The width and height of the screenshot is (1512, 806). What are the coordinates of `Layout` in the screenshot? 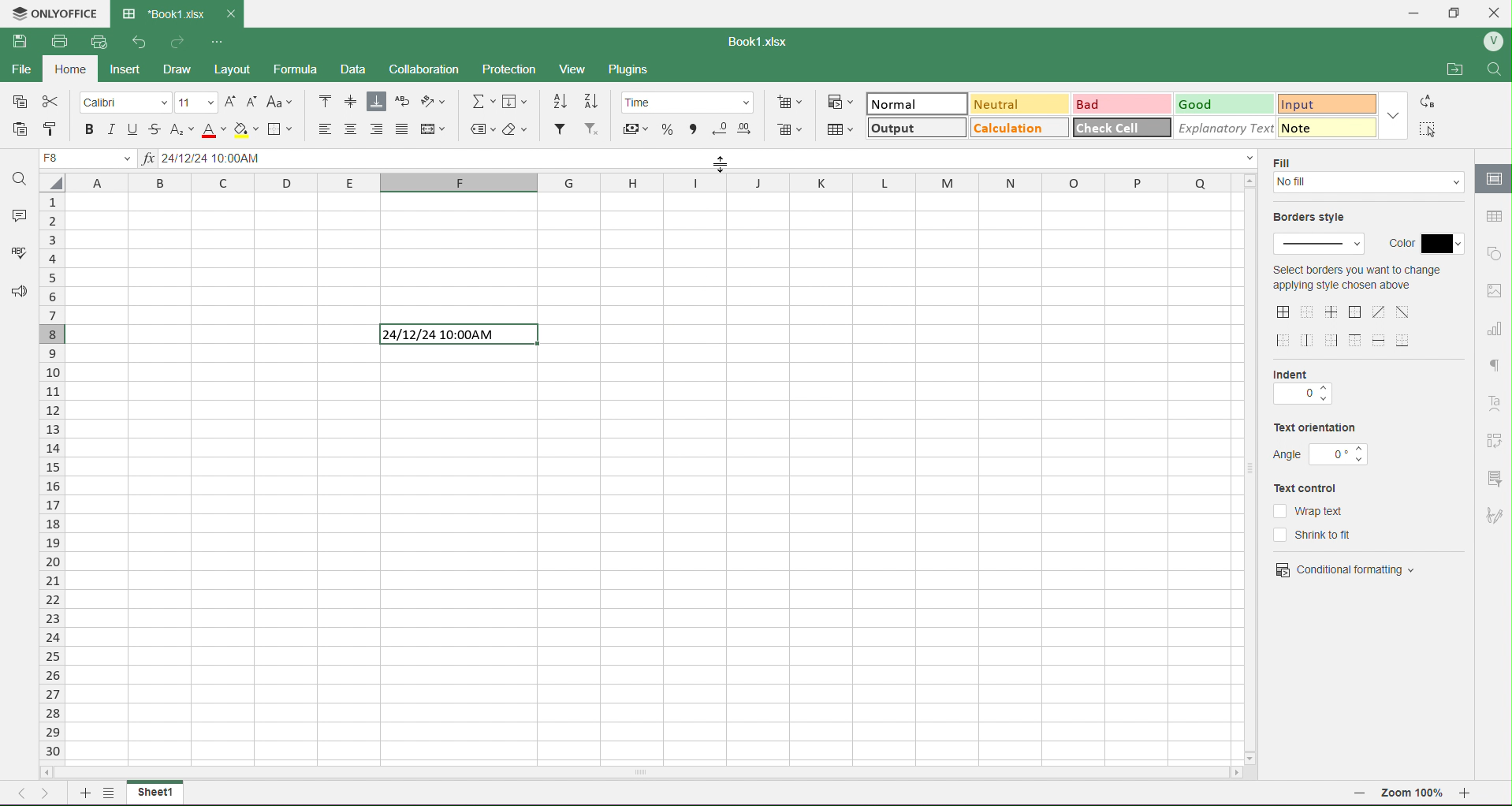 It's located at (244, 69).